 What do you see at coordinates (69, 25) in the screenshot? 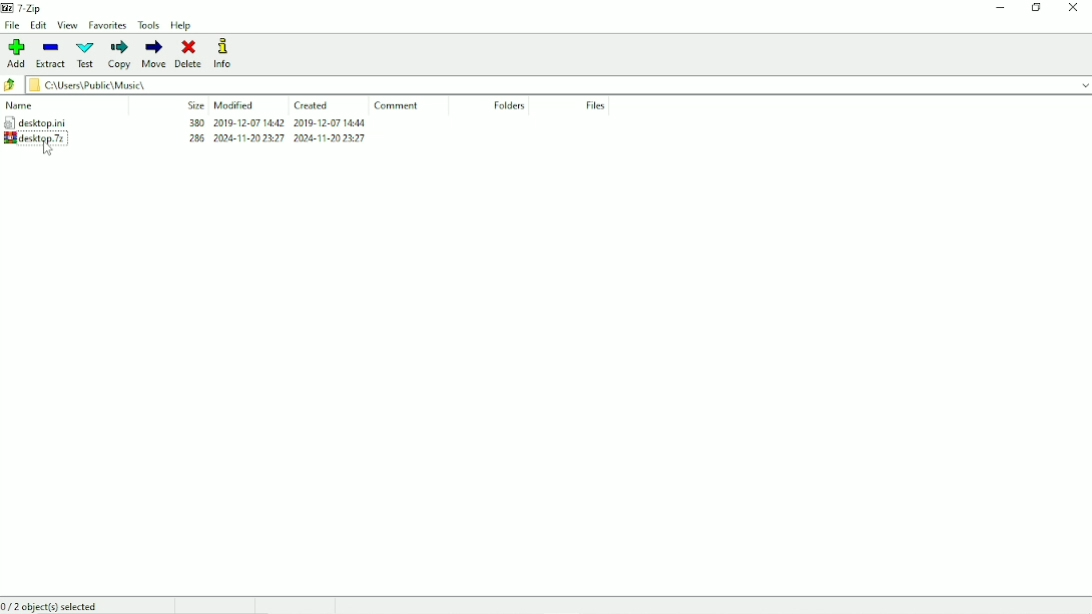
I see `View` at bounding box center [69, 25].